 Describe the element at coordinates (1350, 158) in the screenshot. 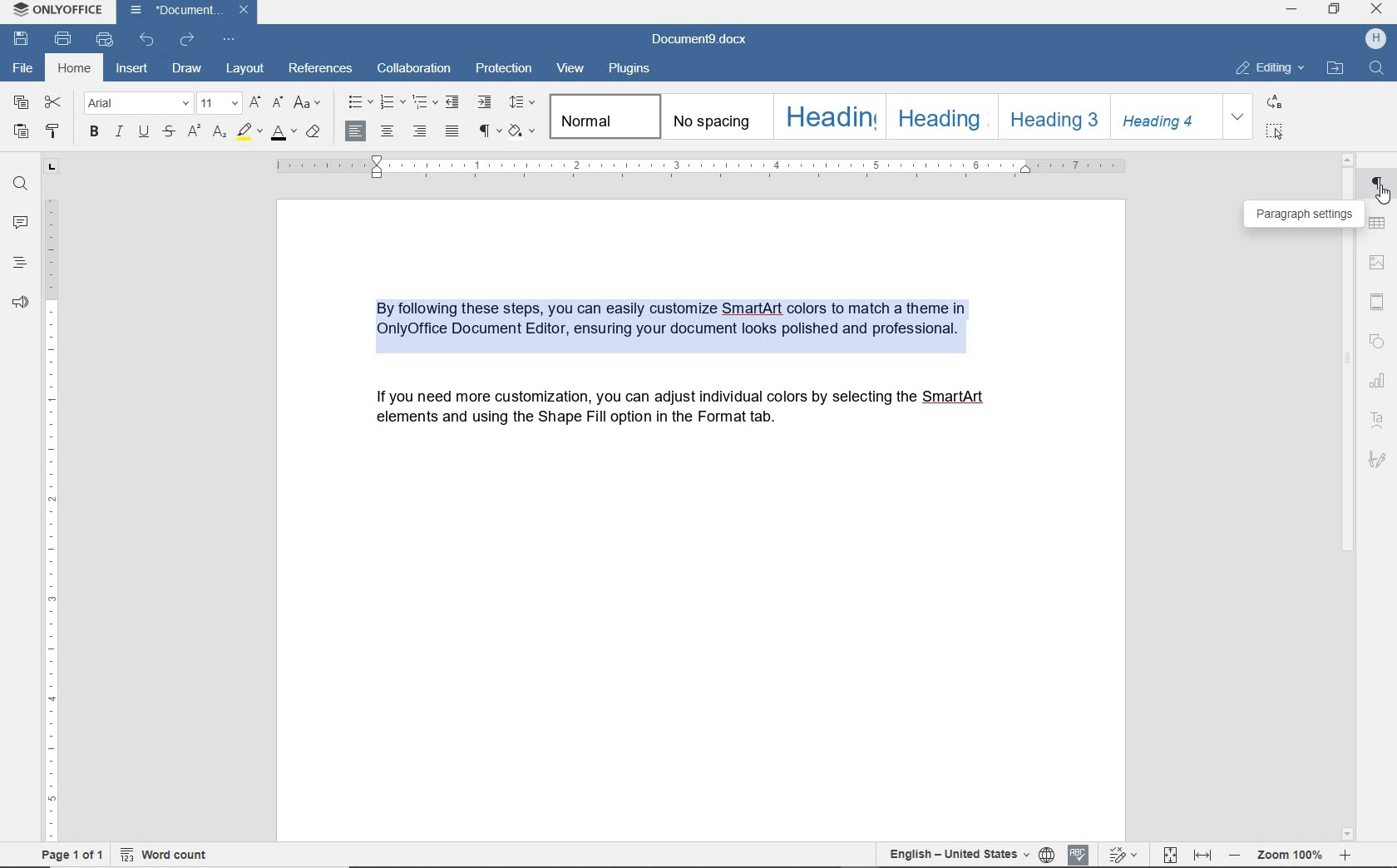

I see `scroll up` at that location.